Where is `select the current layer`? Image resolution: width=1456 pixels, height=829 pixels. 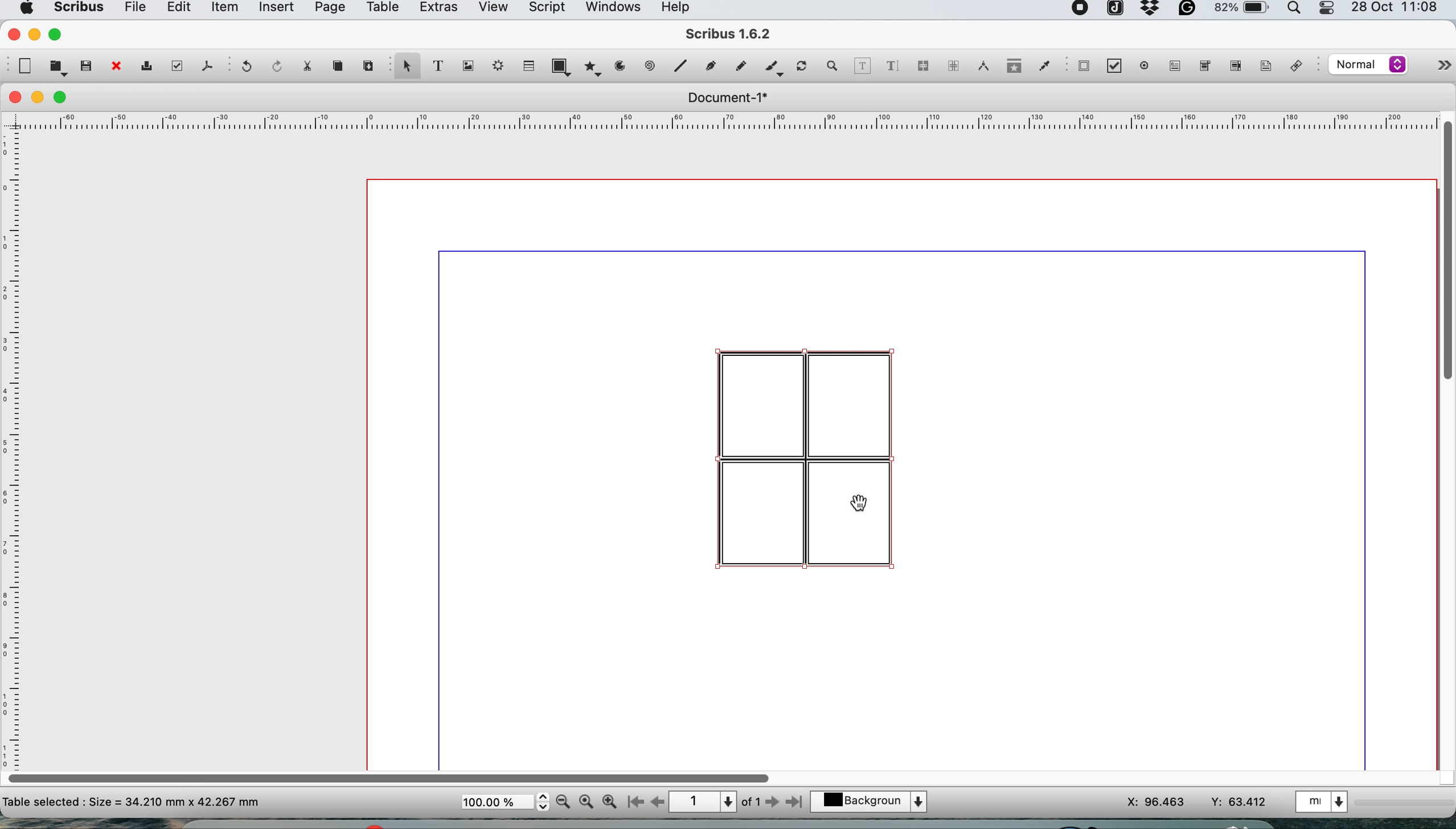 select the current layer is located at coordinates (875, 803).